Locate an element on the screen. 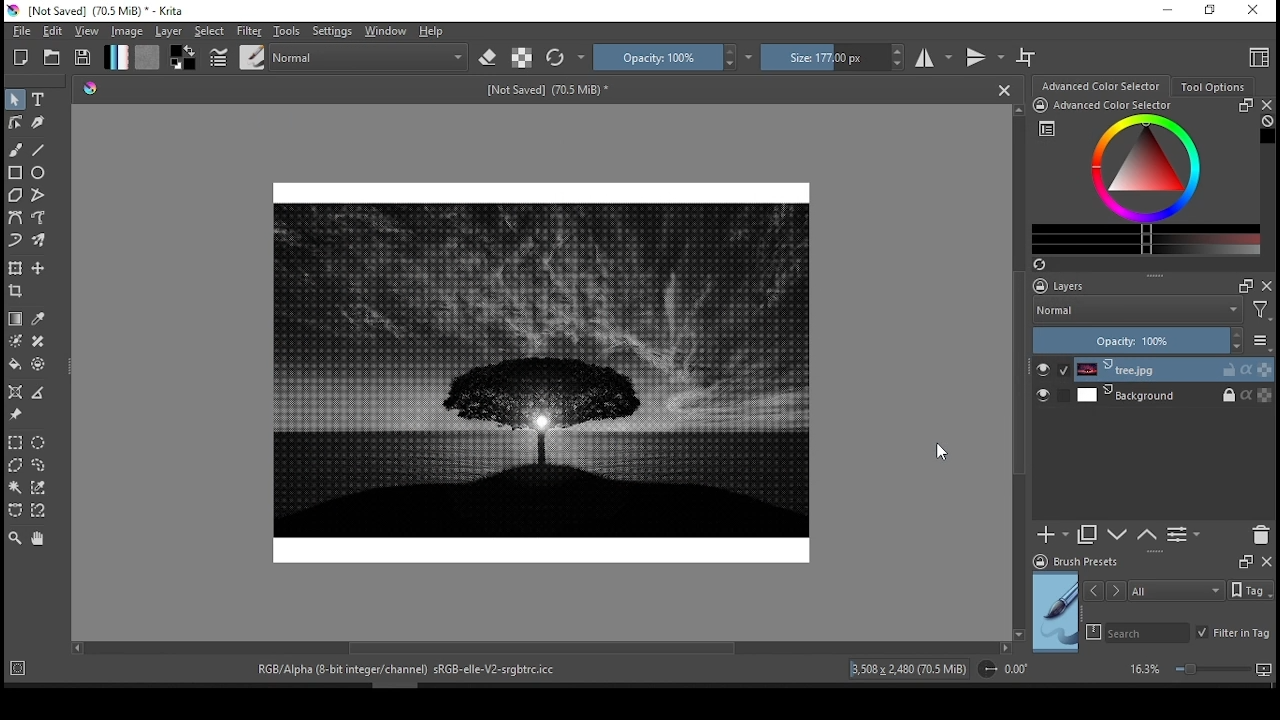 This screenshot has width=1280, height=720. reload original preset is located at coordinates (563, 57).